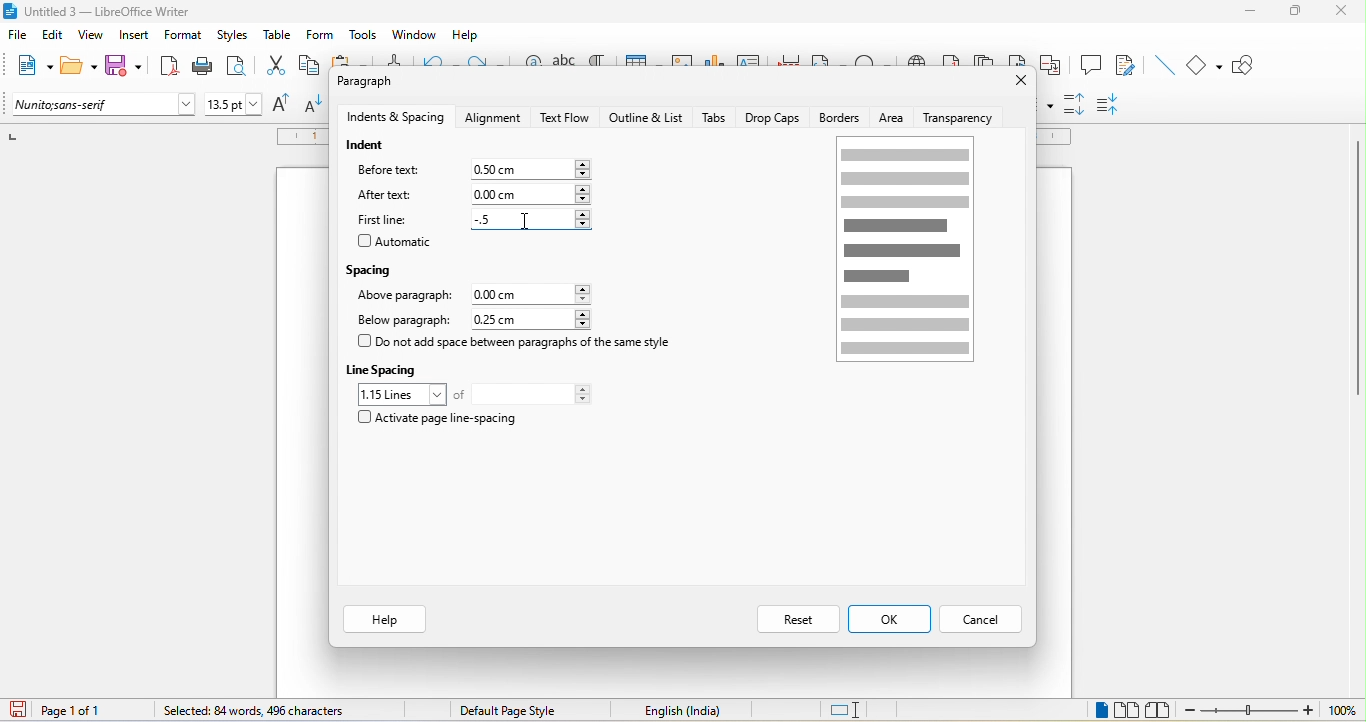 This screenshot has height=722, width=1366. I want to click on minimize, so click(1249, 13).